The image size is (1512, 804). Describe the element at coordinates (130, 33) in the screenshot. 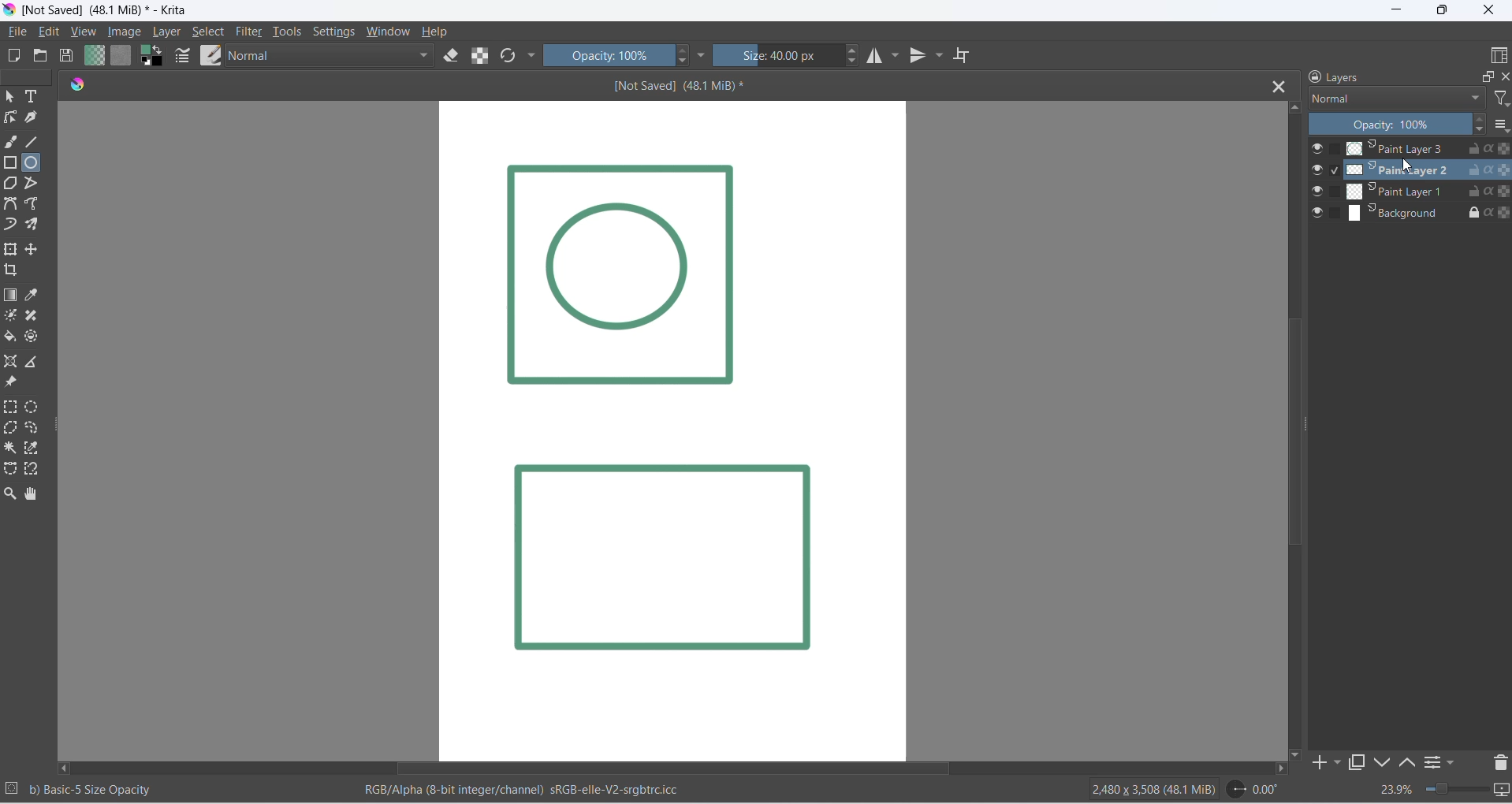

I see `image` at that location.